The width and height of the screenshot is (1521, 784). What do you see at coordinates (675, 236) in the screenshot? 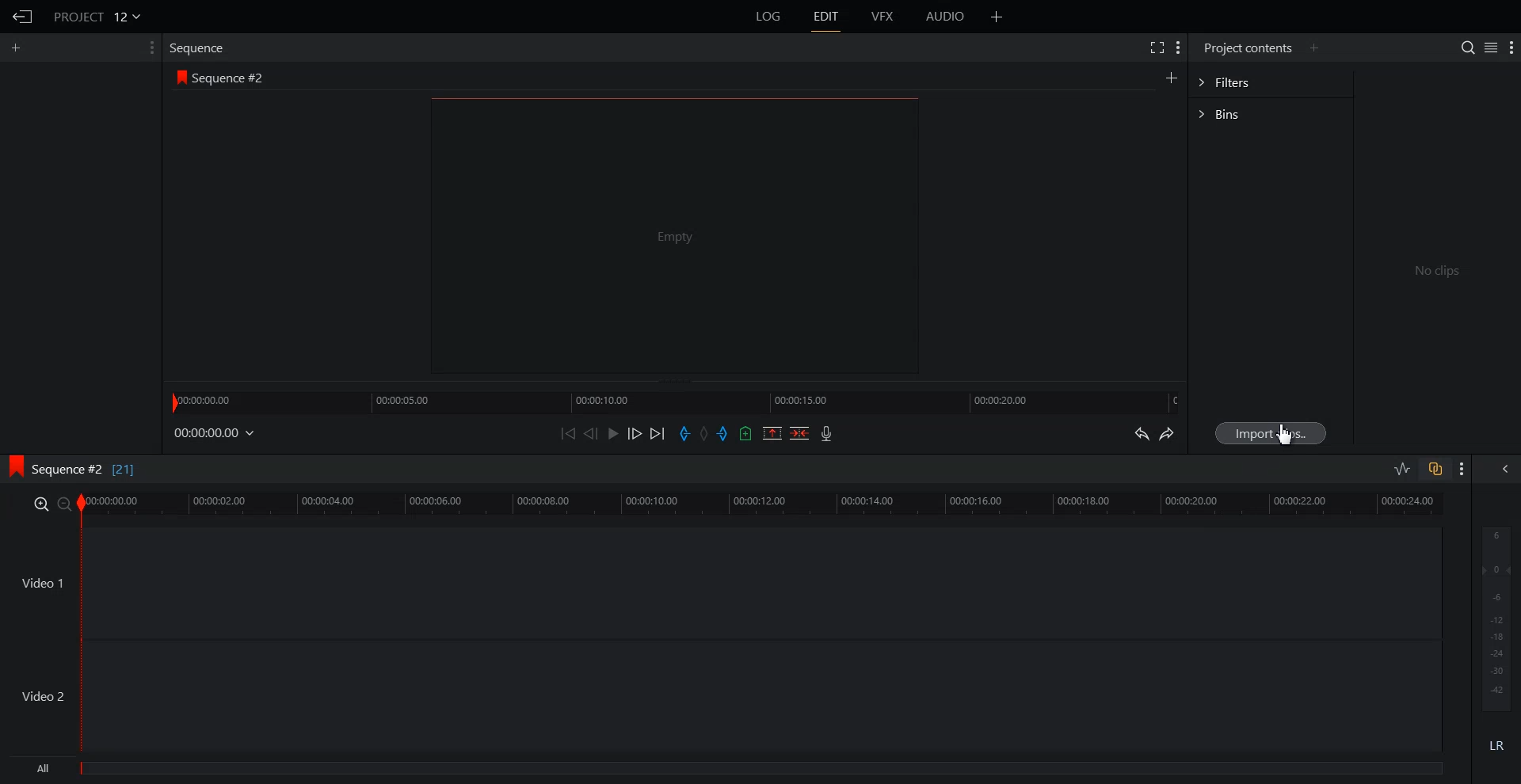
I see `Video Preview` at bounding box center [675, 236].